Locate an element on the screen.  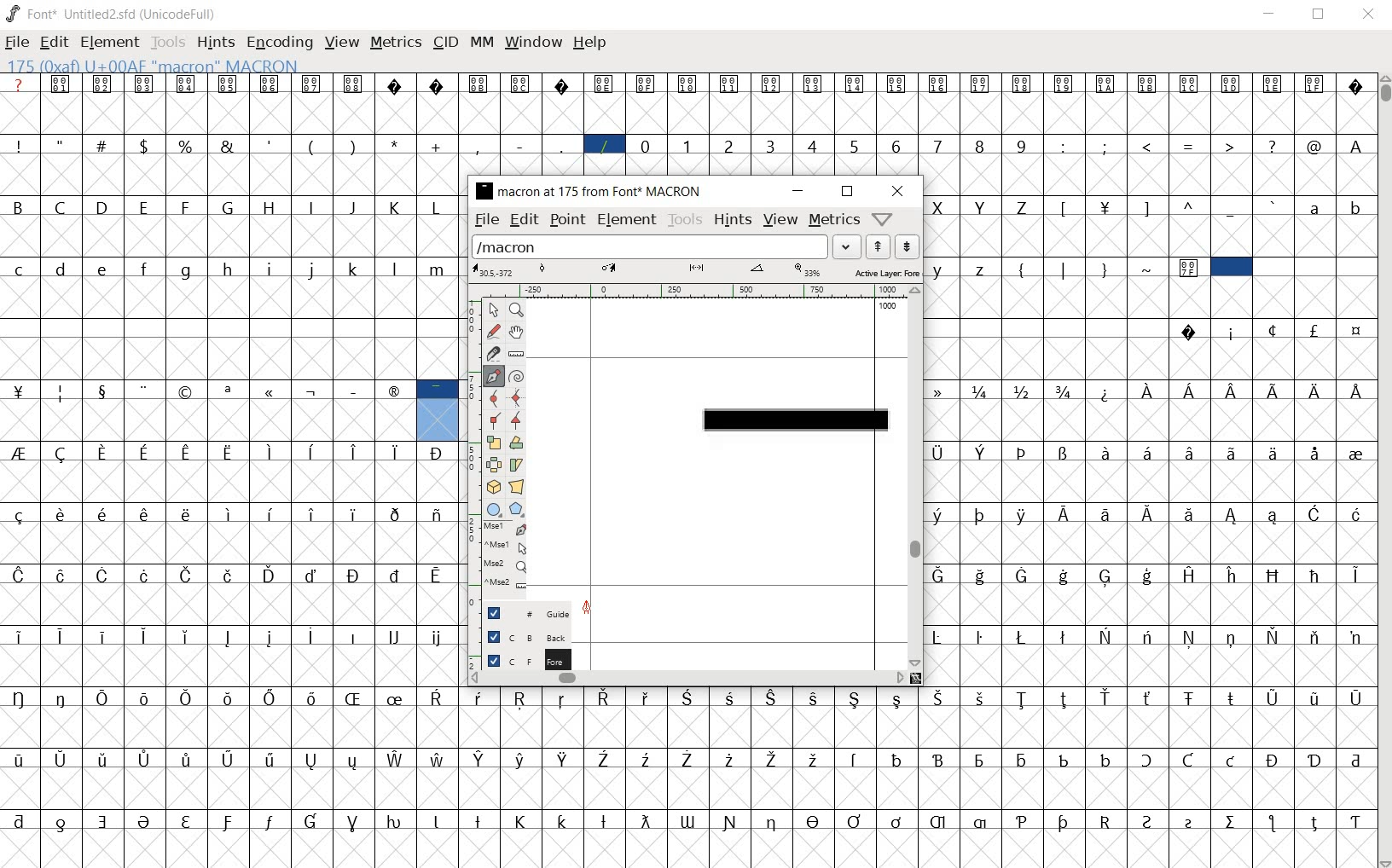
glyph slot is located at coordinates (436, 420).